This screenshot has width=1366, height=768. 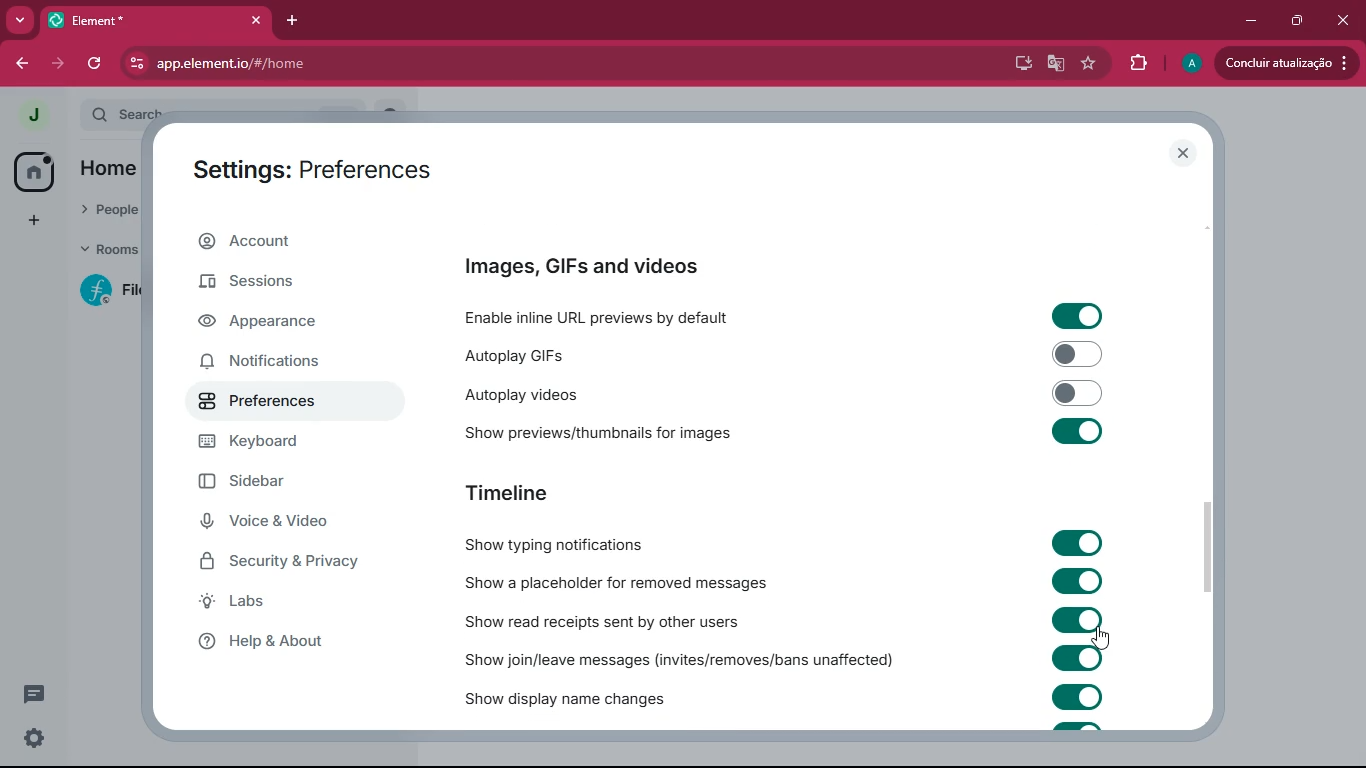 I want to click on add, so click(x=34, y=223).